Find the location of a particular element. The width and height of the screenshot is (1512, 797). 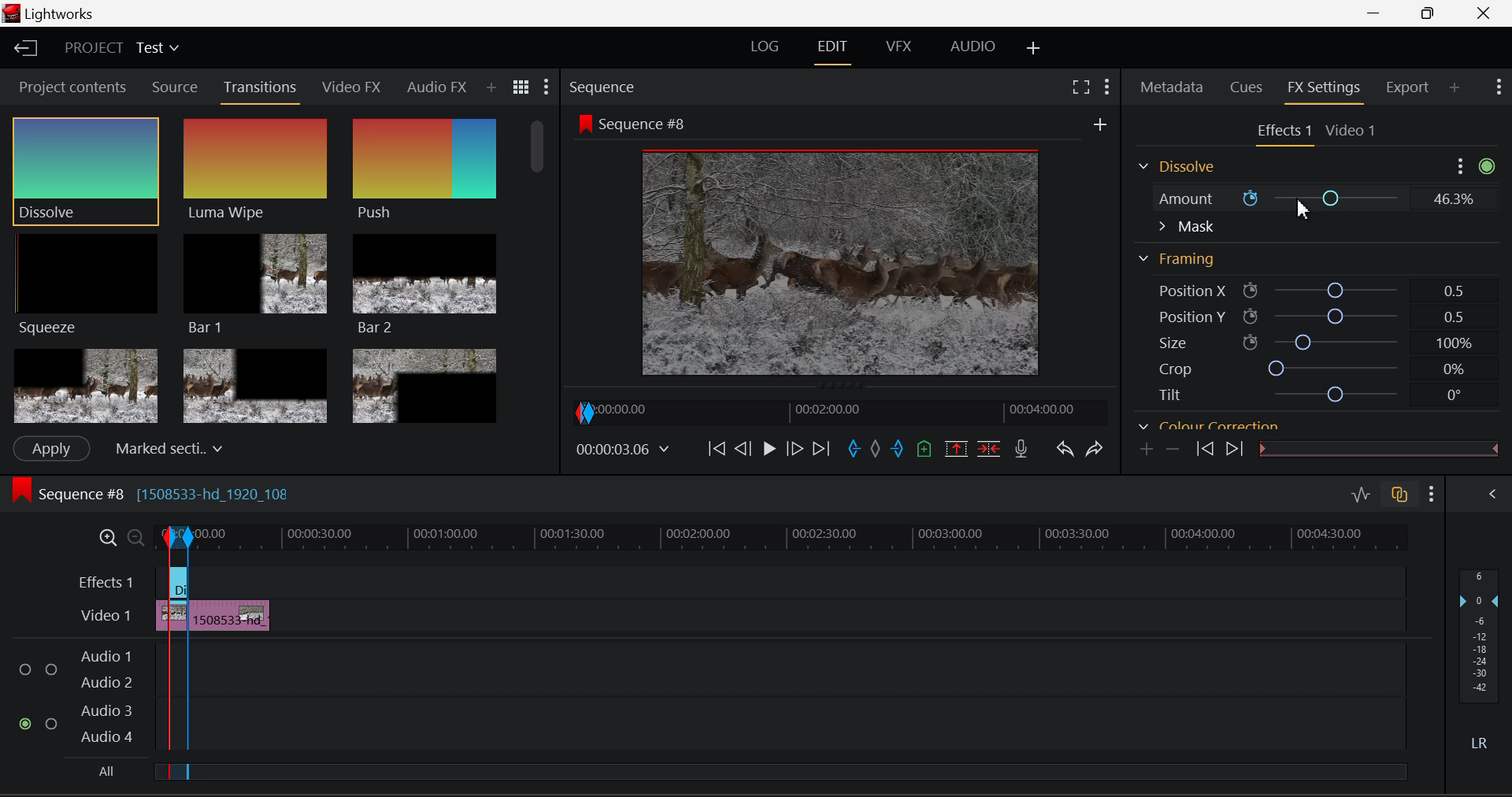

Audio FX is located at coordinates (437, 87).